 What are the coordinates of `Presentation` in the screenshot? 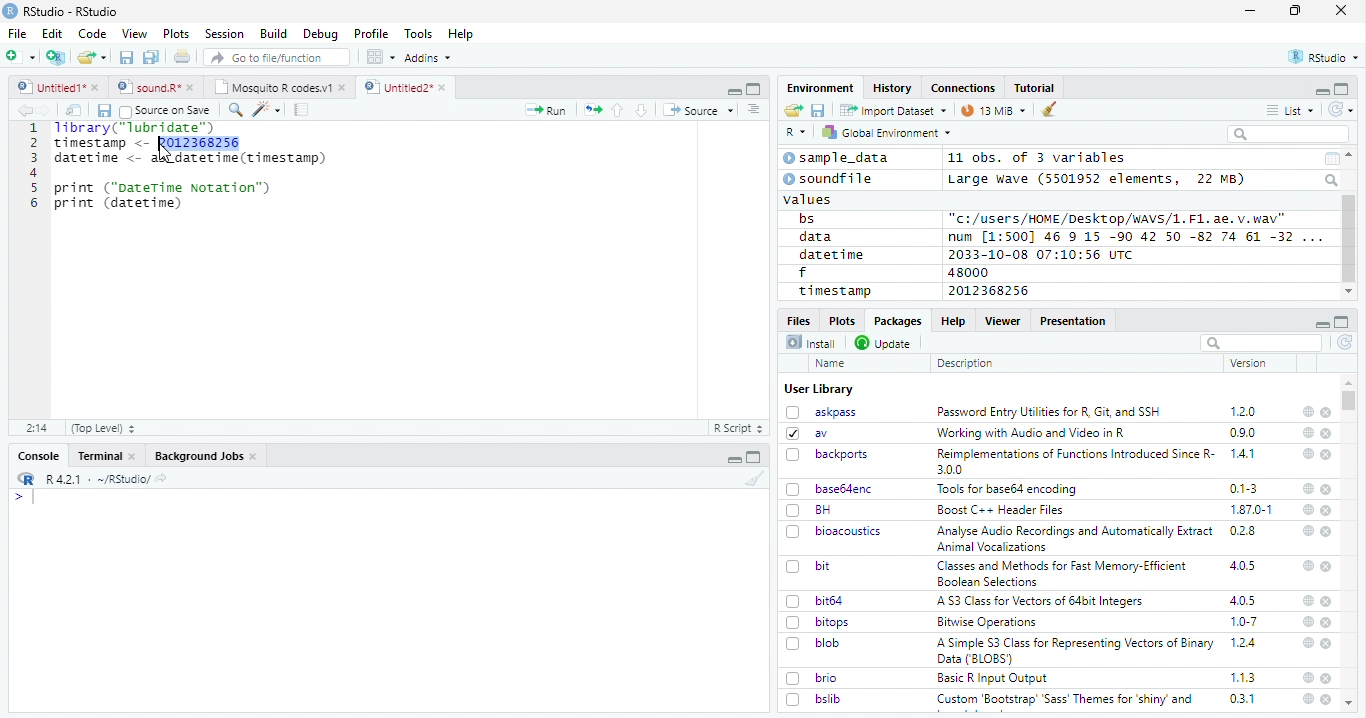 It's located at (1074, 321).